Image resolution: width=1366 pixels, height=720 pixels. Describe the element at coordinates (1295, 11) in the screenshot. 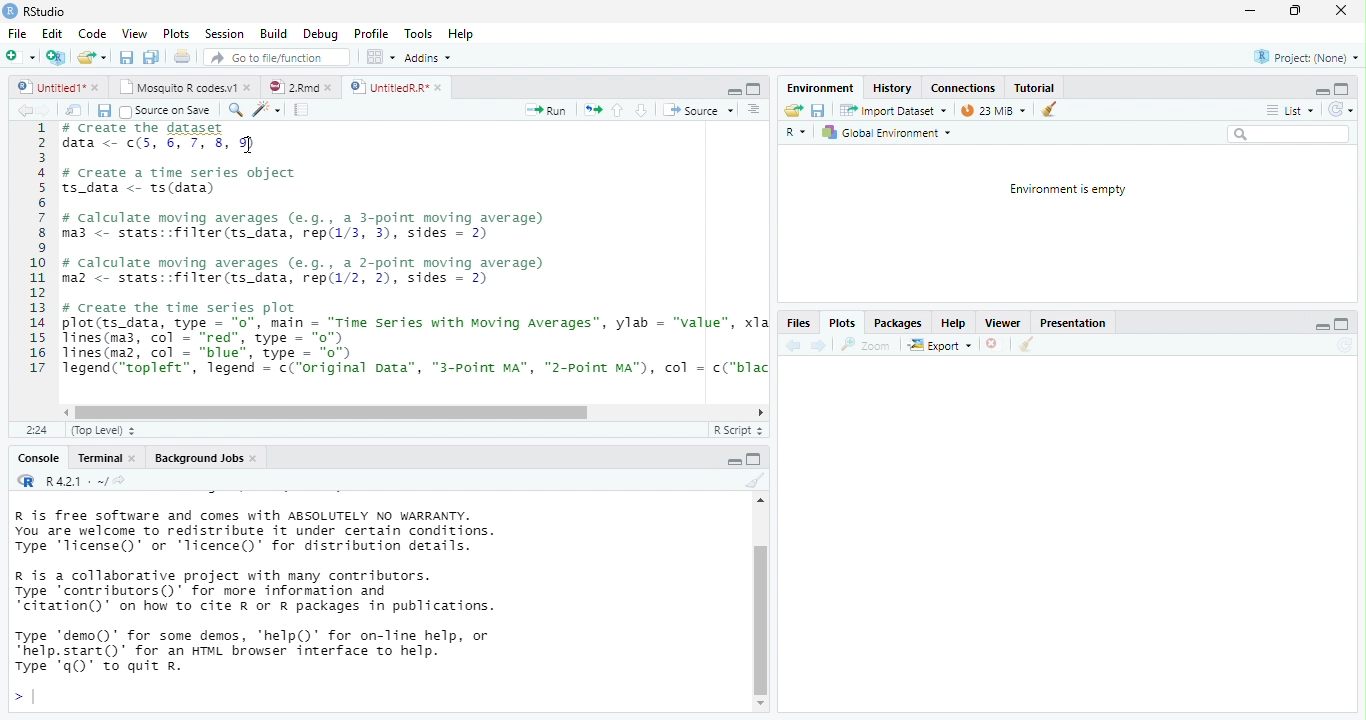

I see `maximize` at that location.